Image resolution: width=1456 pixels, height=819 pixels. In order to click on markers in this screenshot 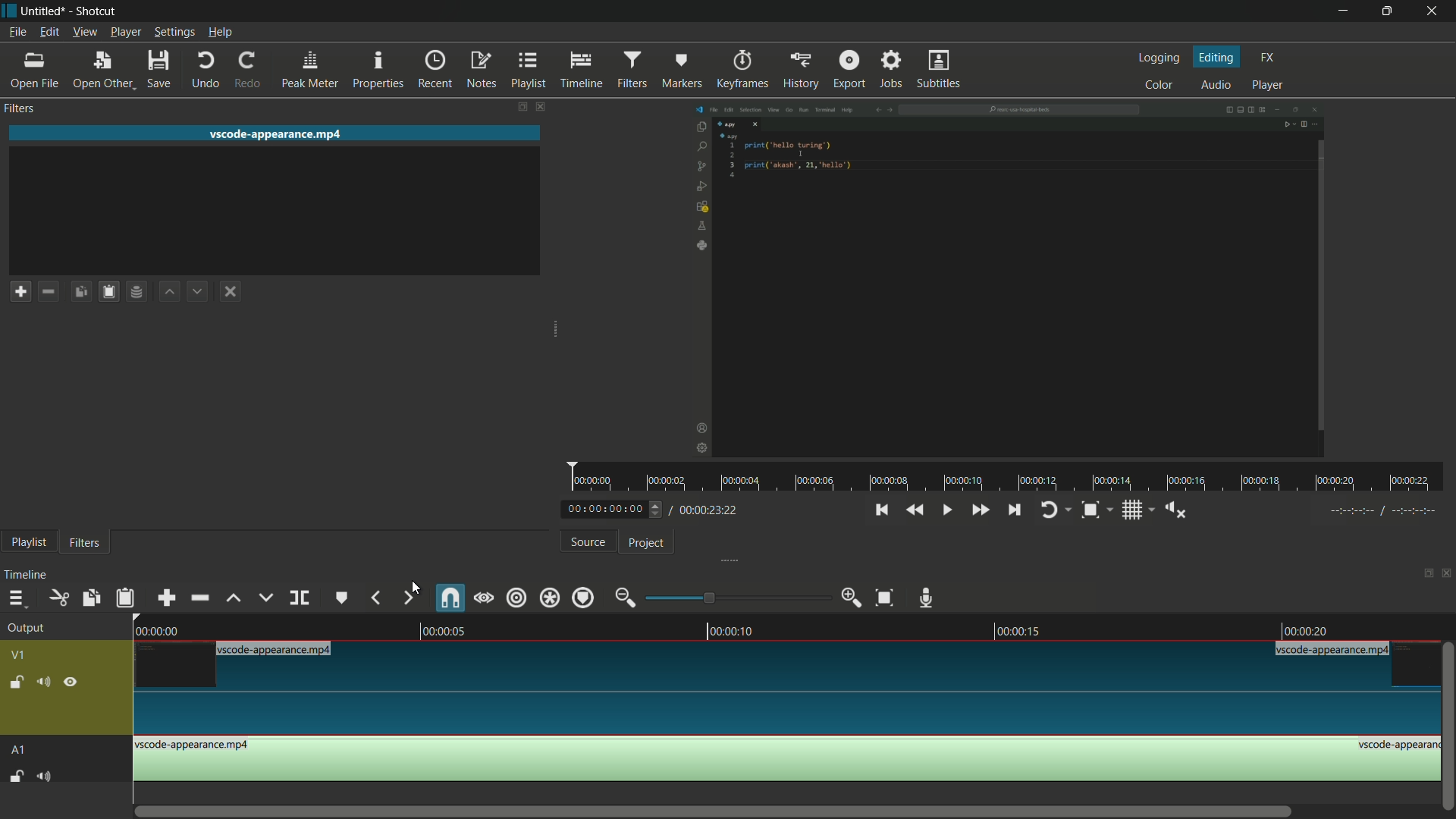, I will do `click(683, 70)`.